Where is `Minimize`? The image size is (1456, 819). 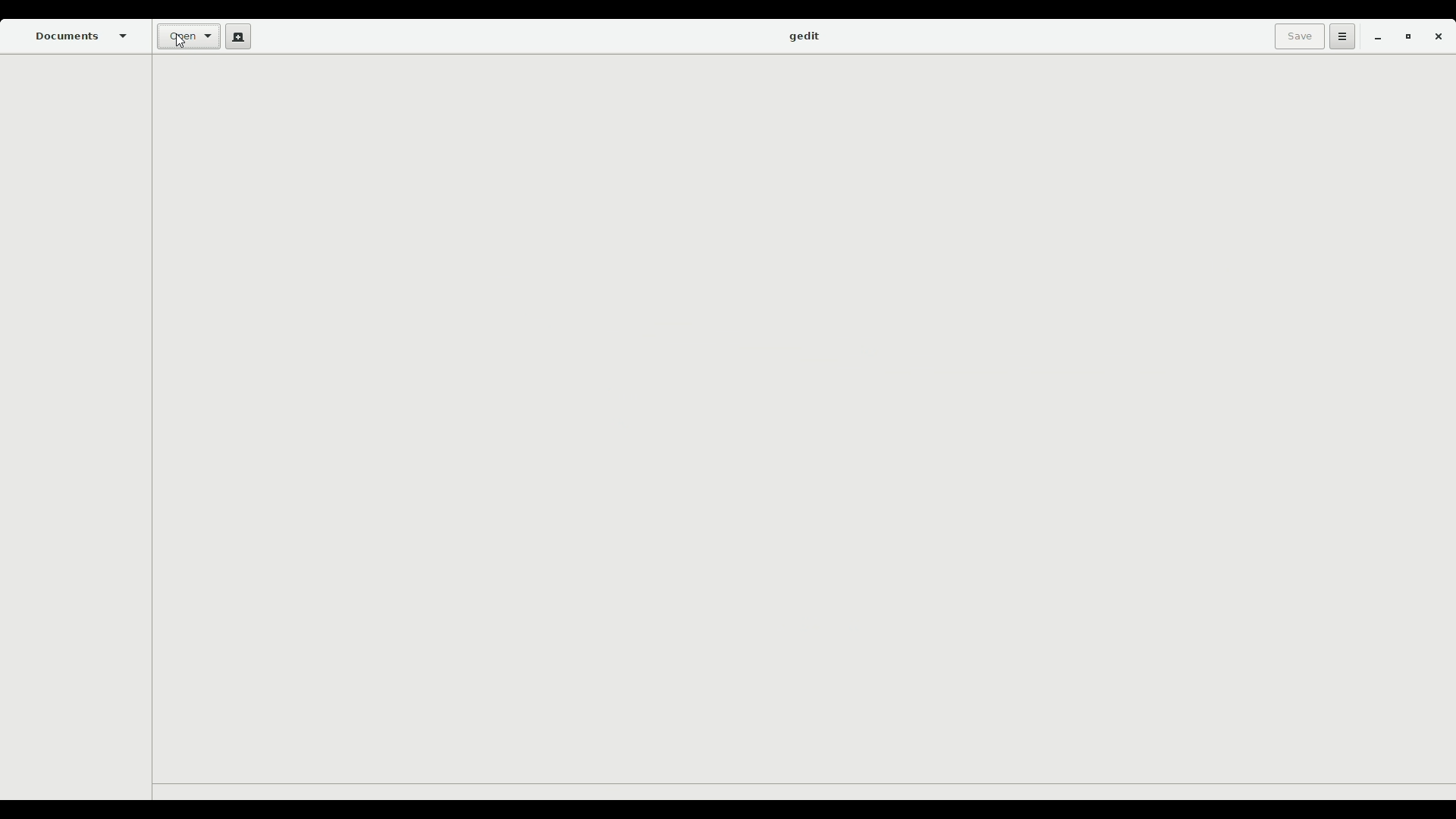 Minimize is located at coordinates (1373, 38).